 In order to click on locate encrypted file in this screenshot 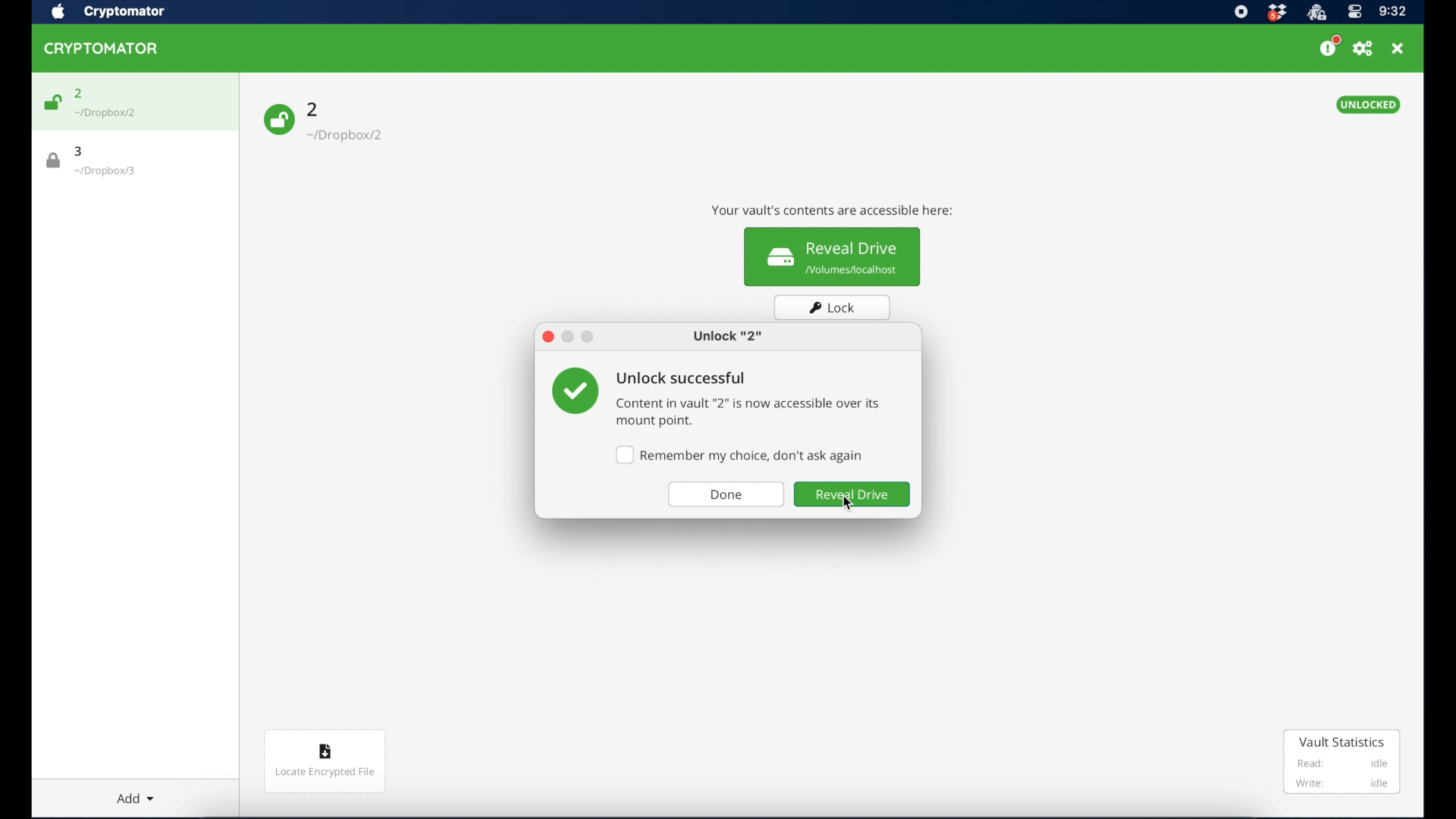, I will do `click(325, 760)`.